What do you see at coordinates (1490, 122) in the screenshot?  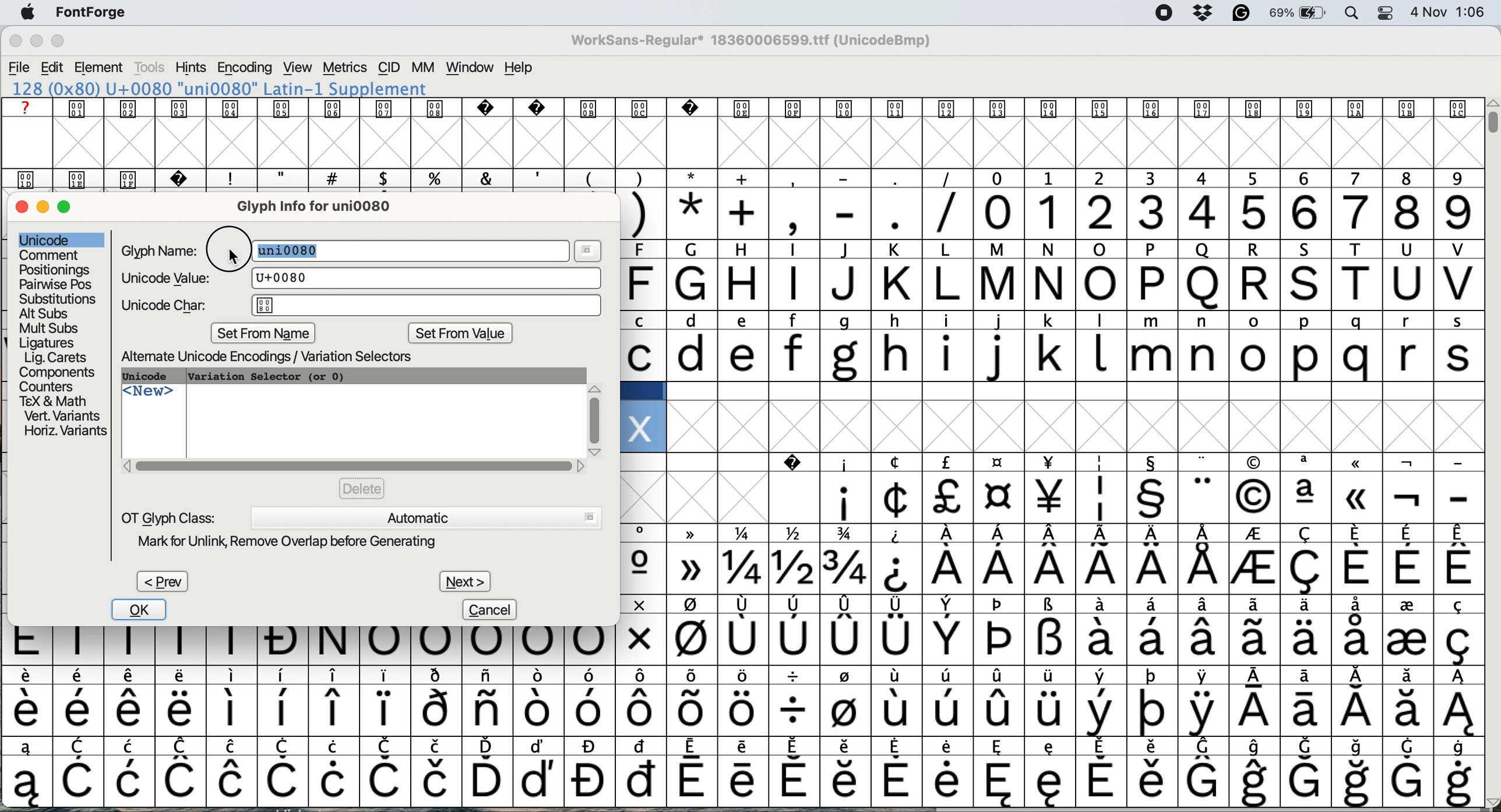 I see `vertical scroll bar` at bounding box center [1490, 122].